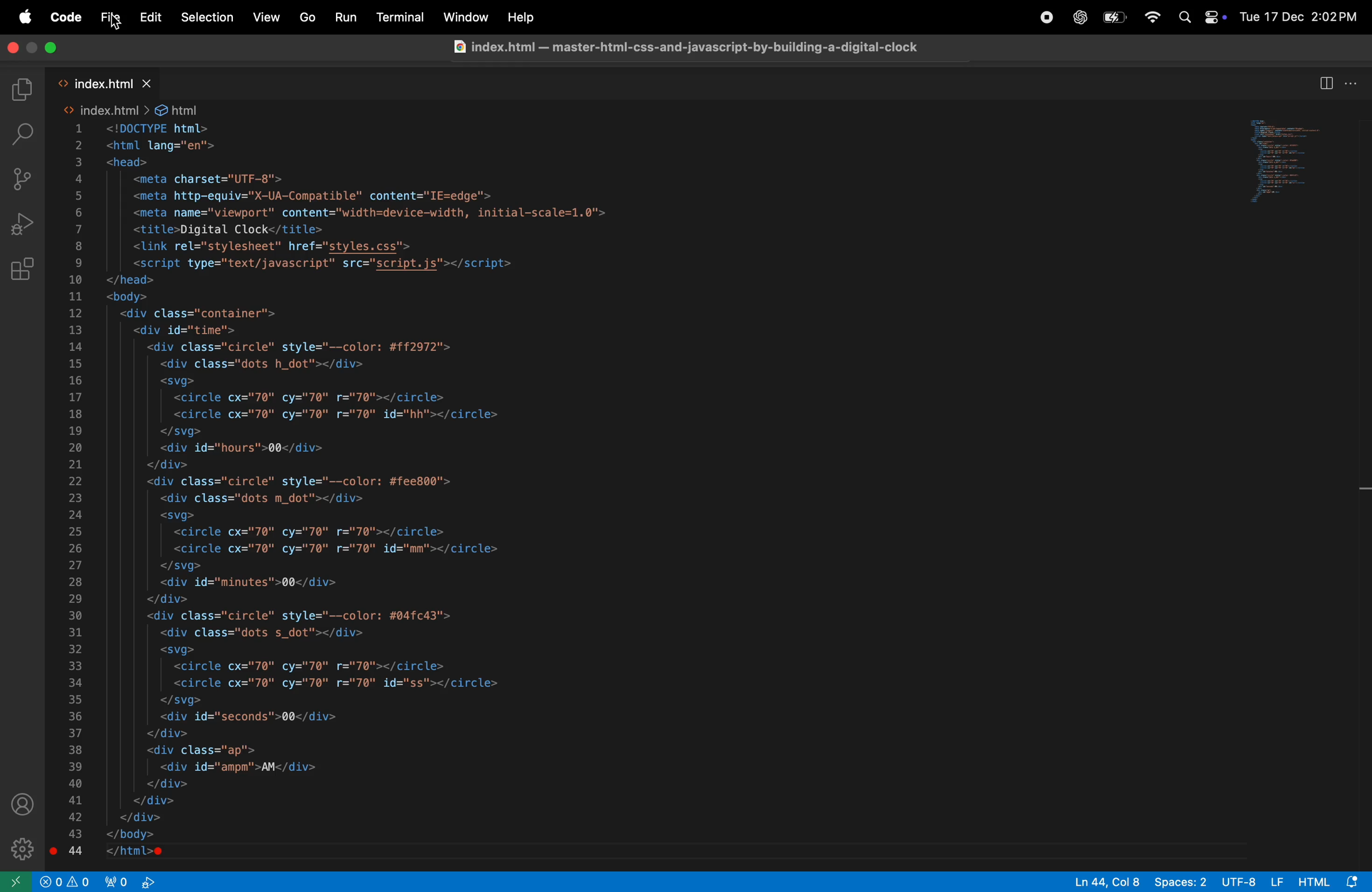 This screenshot has width=1372, height=892. Describe the element at coordinates (24, 179) in the screenshot. I see `source control` at that location.